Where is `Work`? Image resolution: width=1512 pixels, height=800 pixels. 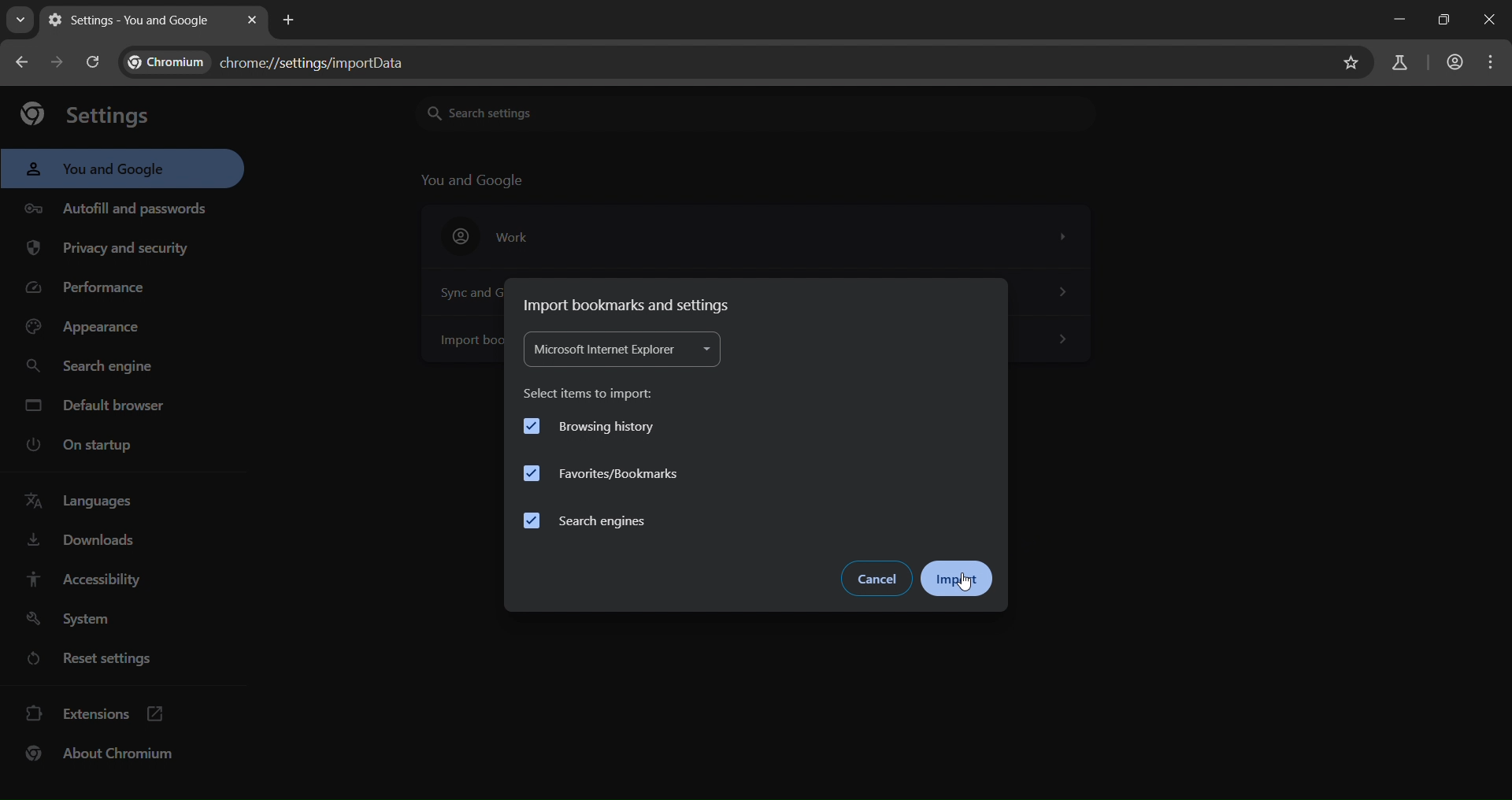
Work is located at coordinates (756, 236).